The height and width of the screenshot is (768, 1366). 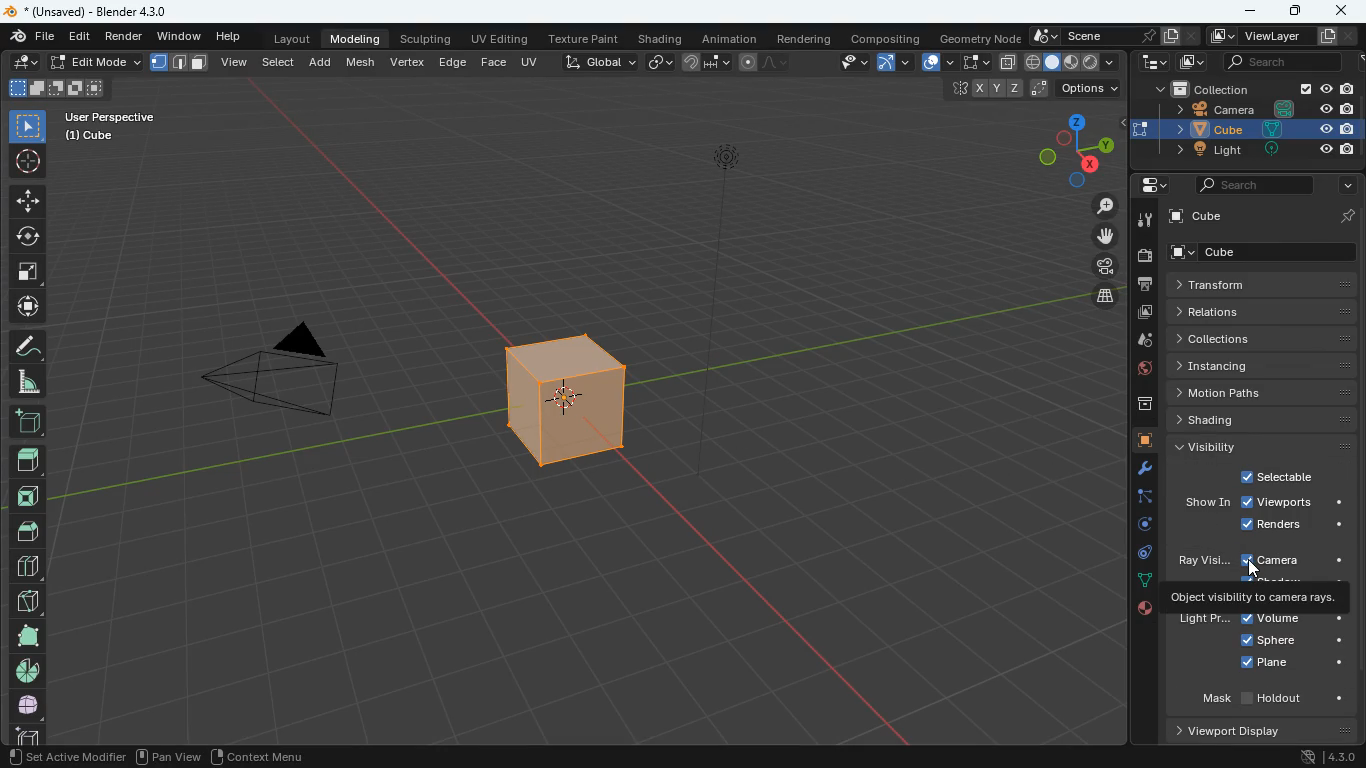 What do you see at coordinates (1135, 469) in the screenshot?
I see `tools` at bounding box center [1135, 469].